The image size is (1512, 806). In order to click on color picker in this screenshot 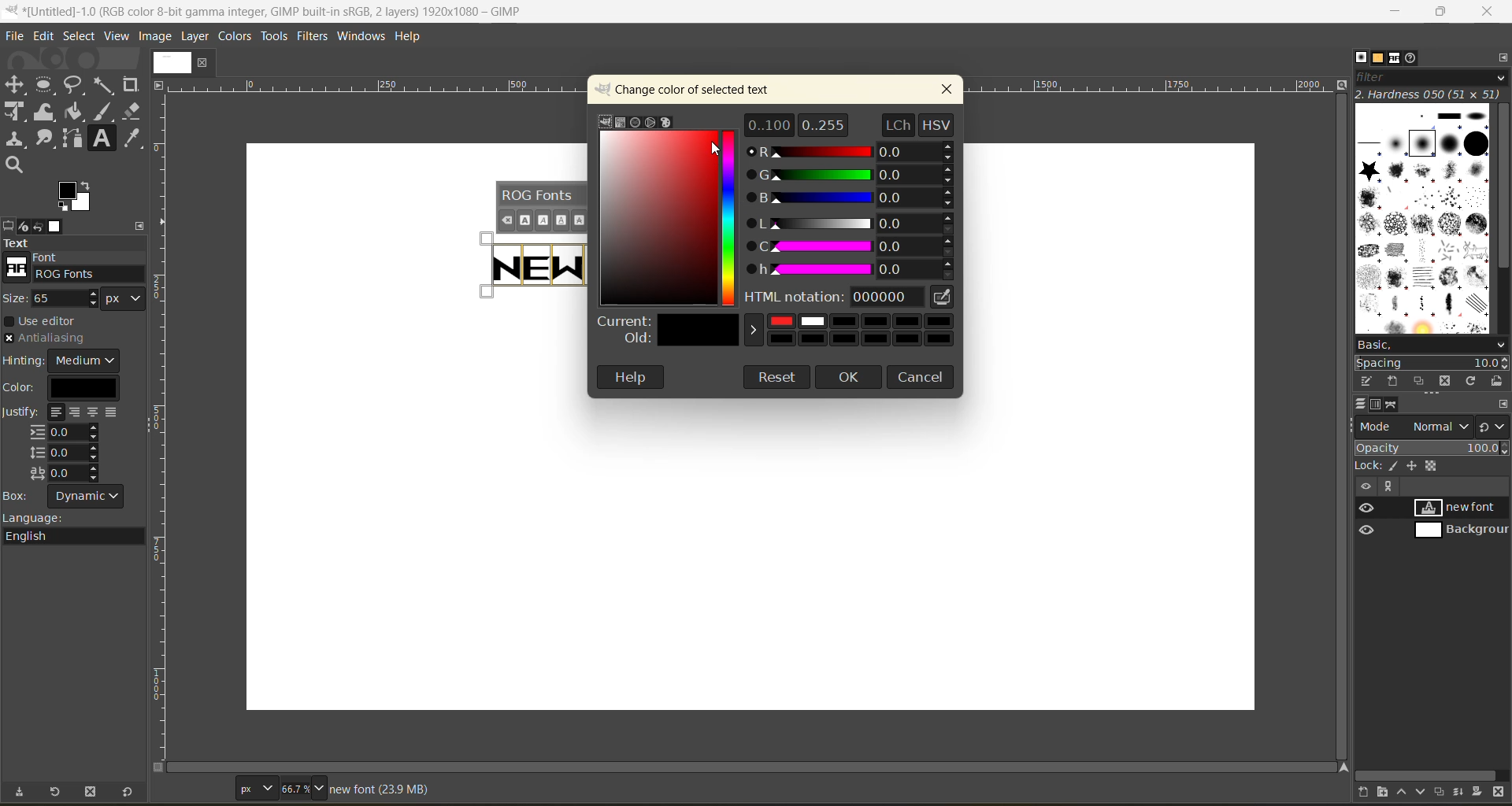, I will do `click(731, 220)`.